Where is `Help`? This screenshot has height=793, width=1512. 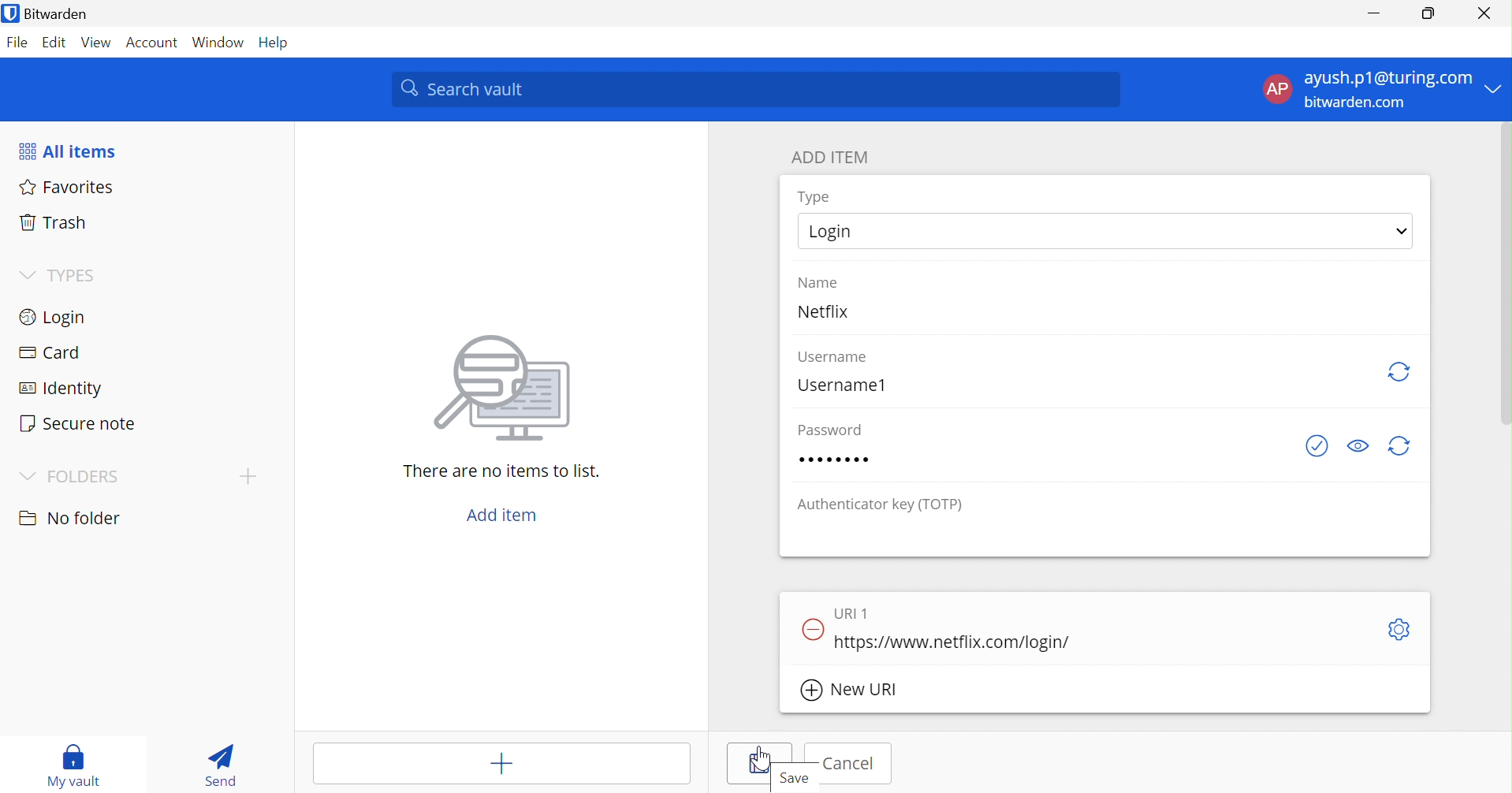
Help is located at coordinates (275, 43).